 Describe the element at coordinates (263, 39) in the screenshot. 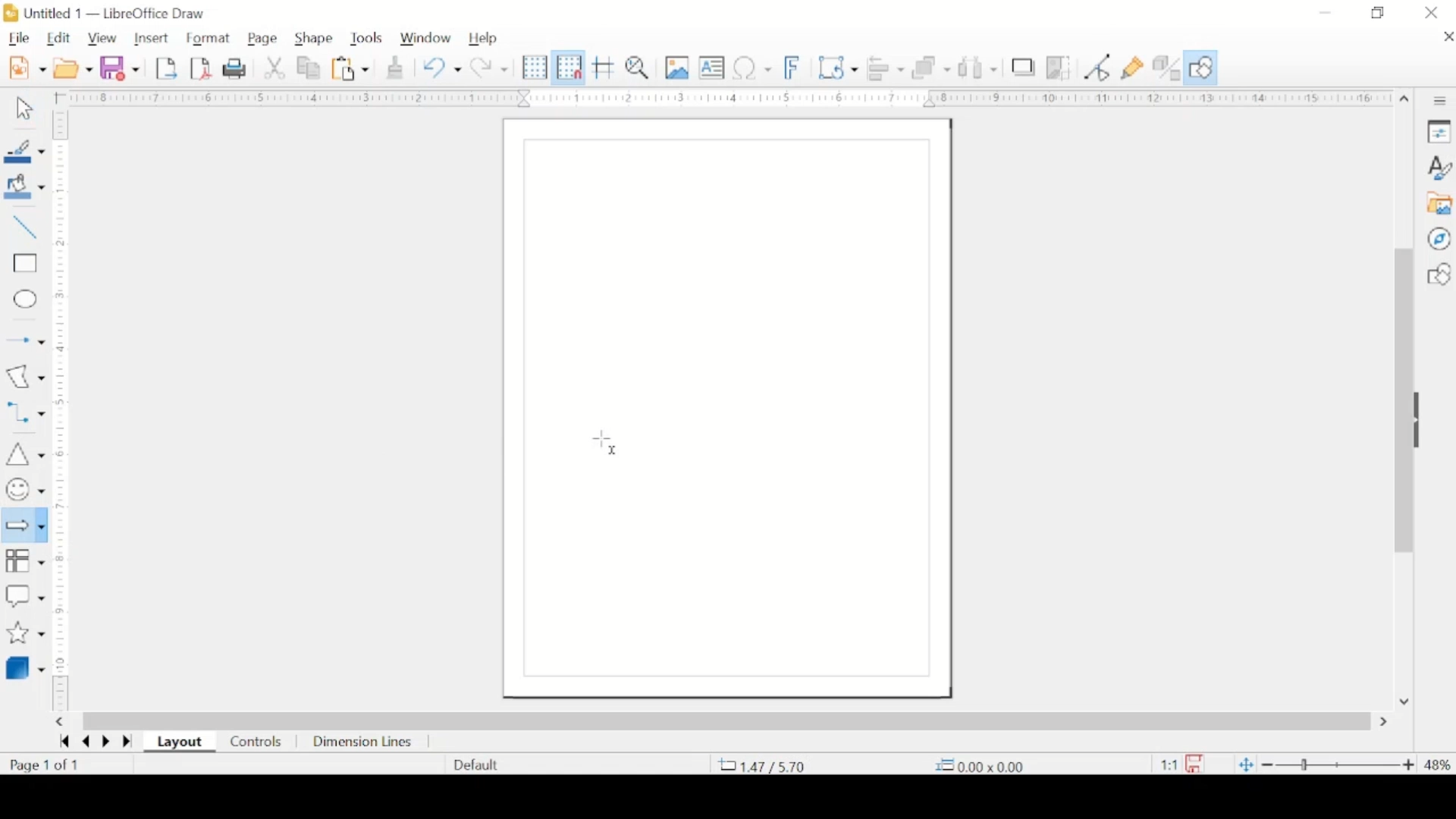

I see `page` at that location.